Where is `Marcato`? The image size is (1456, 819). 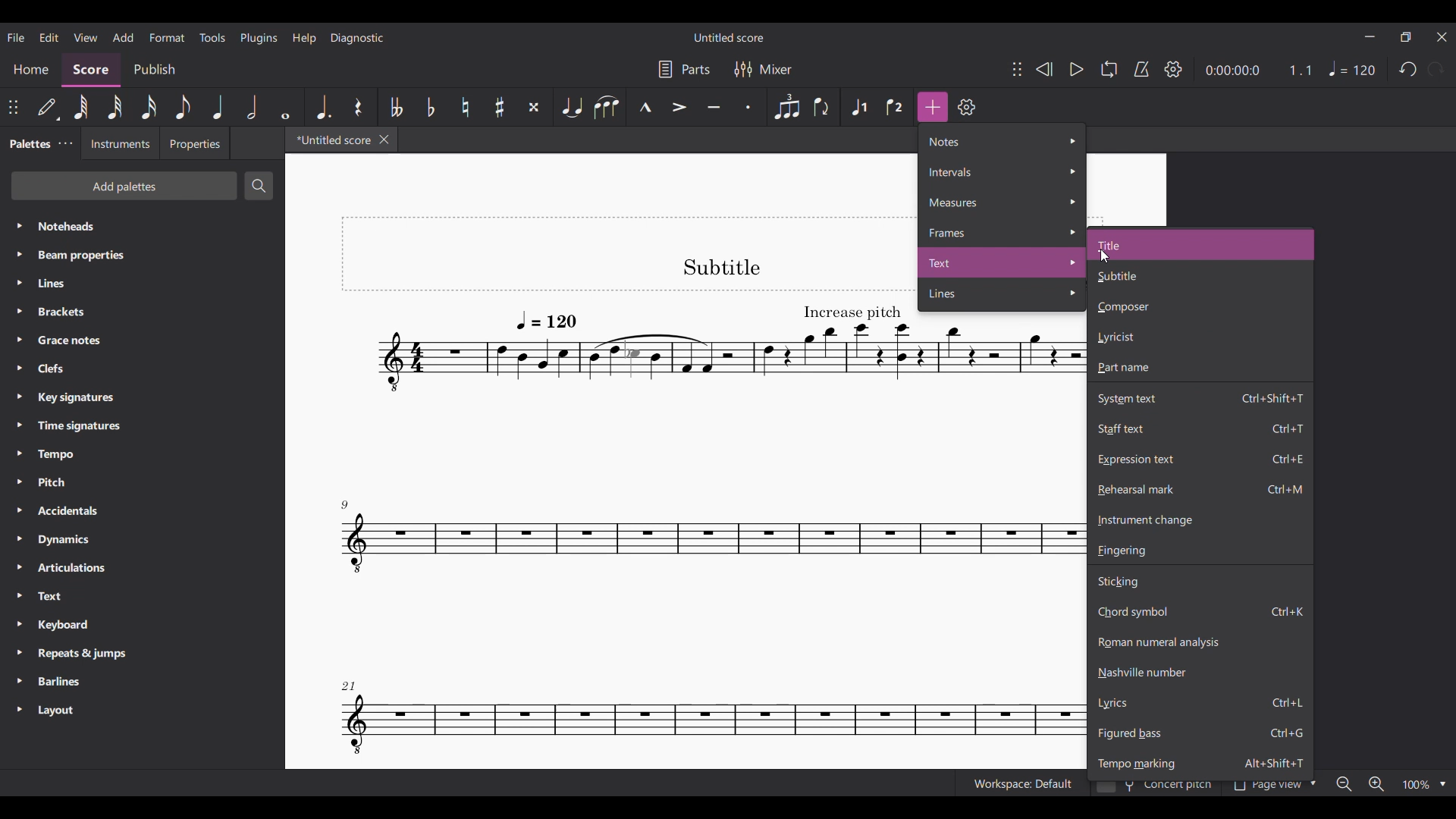 Marcato is located at coordinates (645, 107).